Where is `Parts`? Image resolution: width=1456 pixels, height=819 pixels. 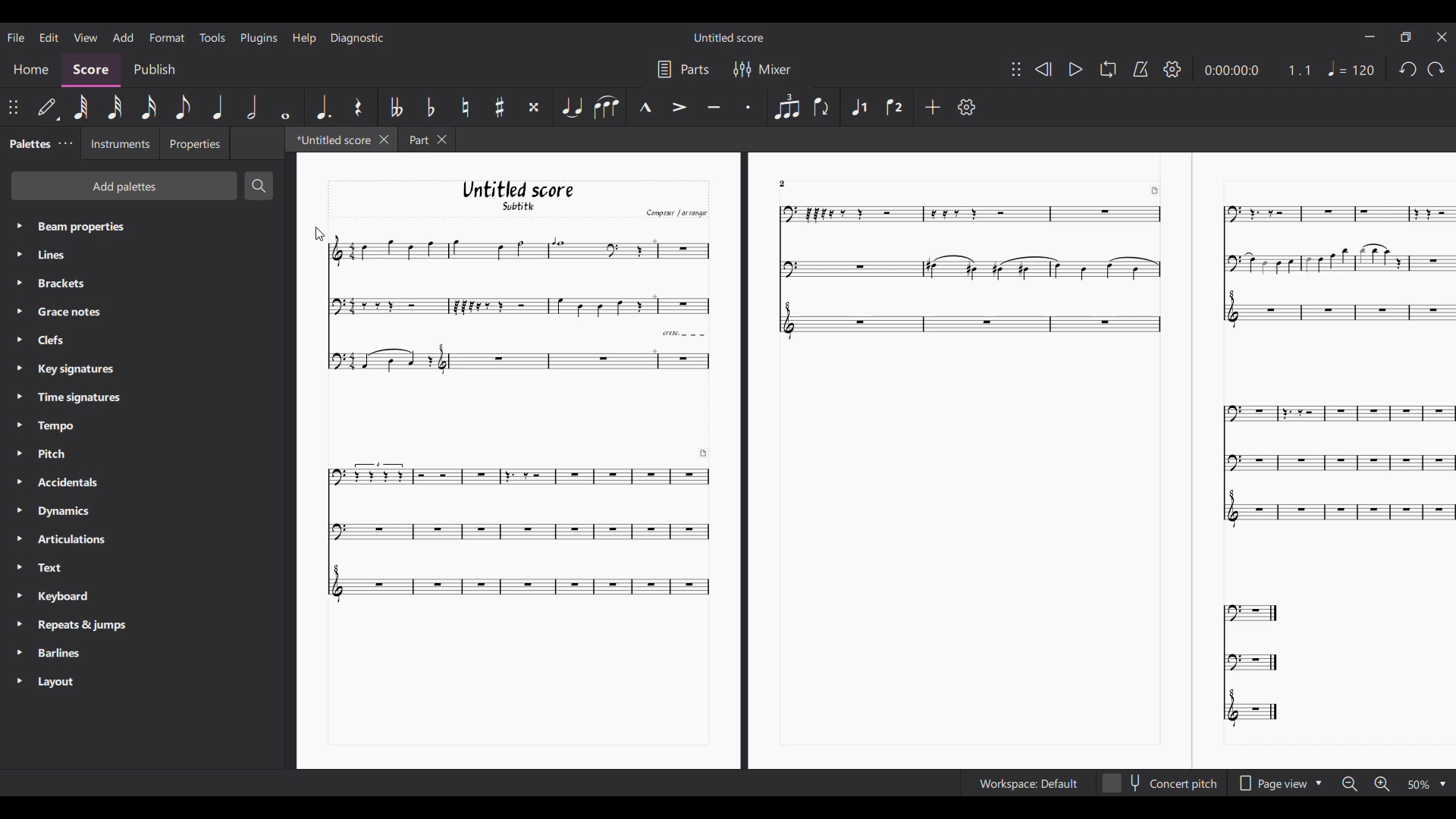 Parts is located at coordinates (695, 69).